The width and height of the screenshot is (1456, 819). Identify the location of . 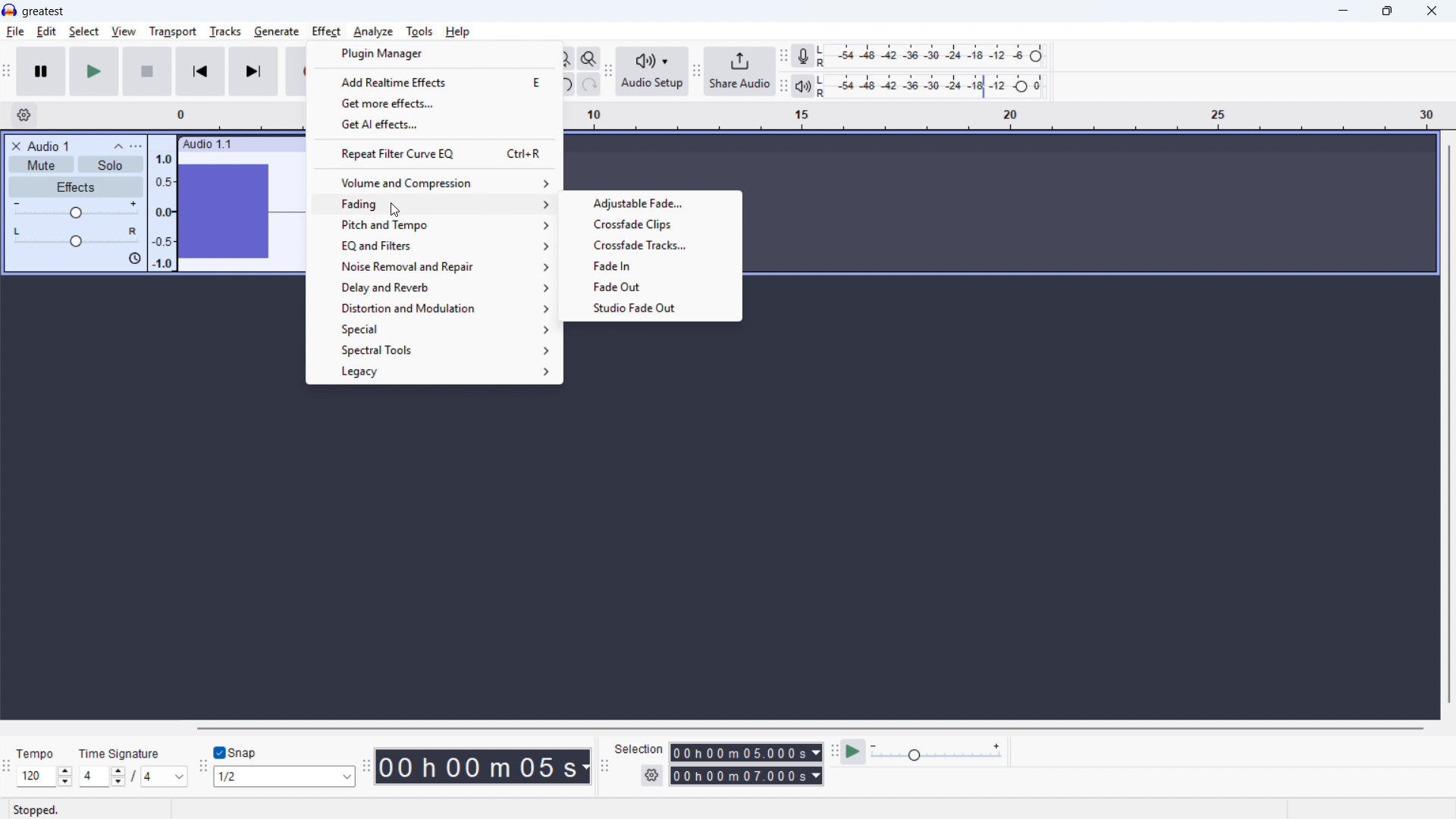
(325, 727).